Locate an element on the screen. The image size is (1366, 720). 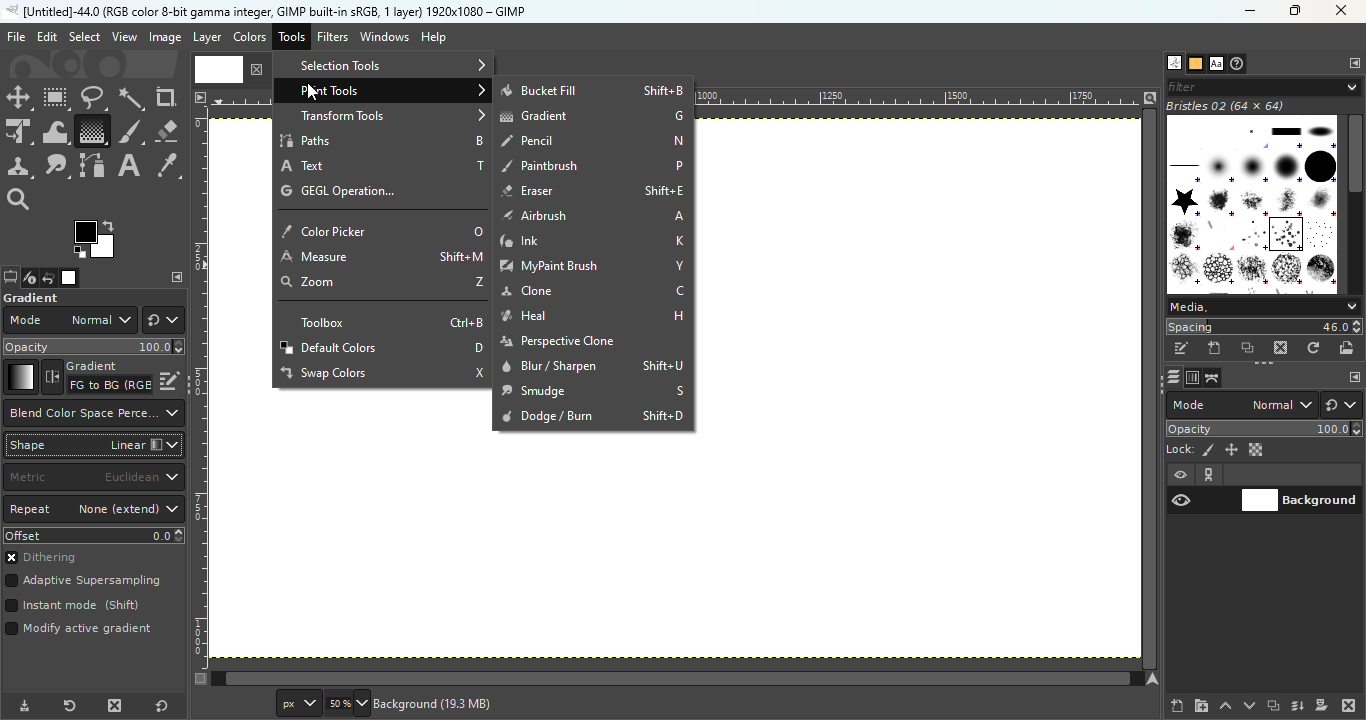
Open the layers dialog is located at coordinates (1171, 377).